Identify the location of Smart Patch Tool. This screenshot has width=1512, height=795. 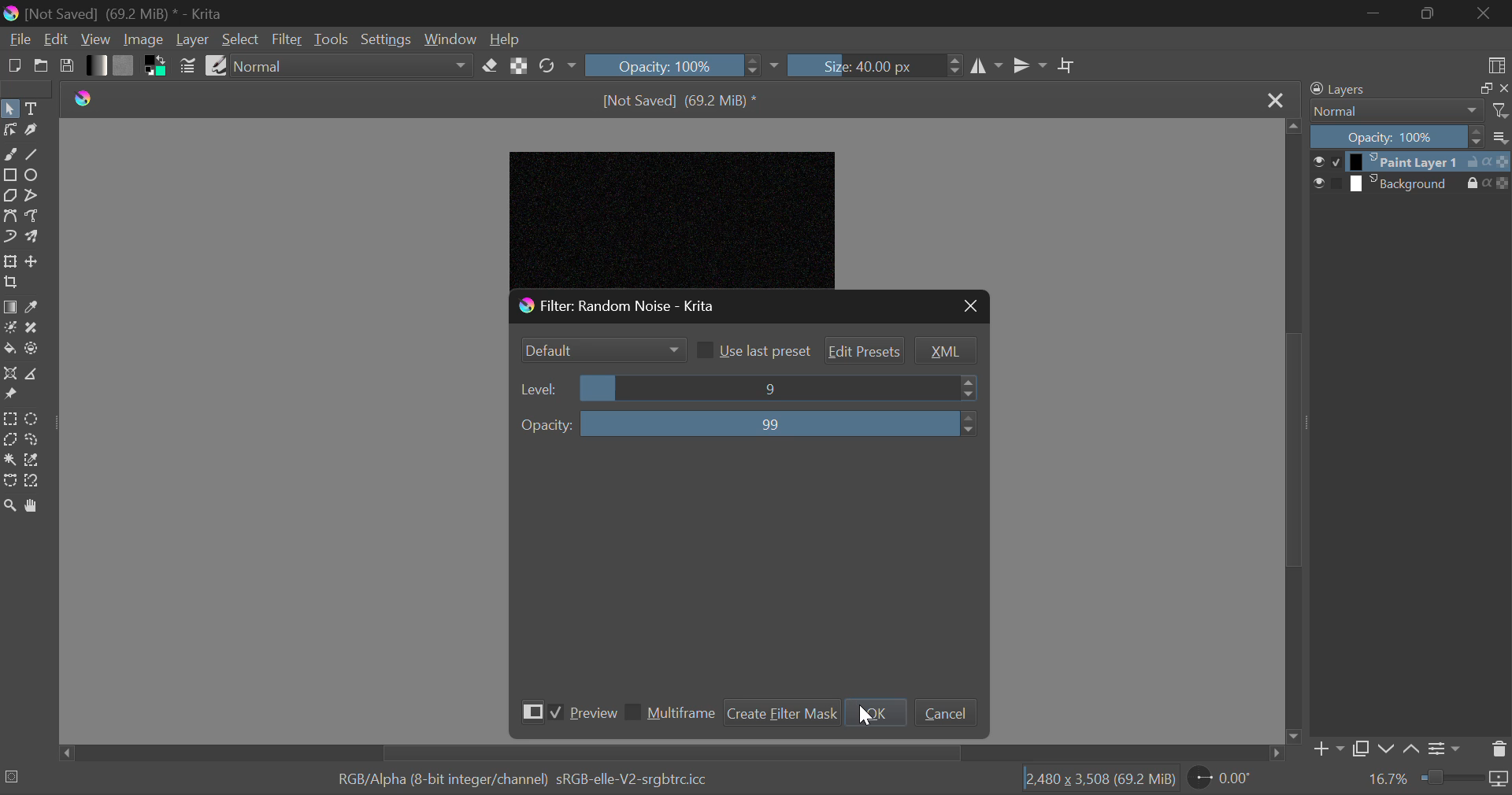
(34, 329).